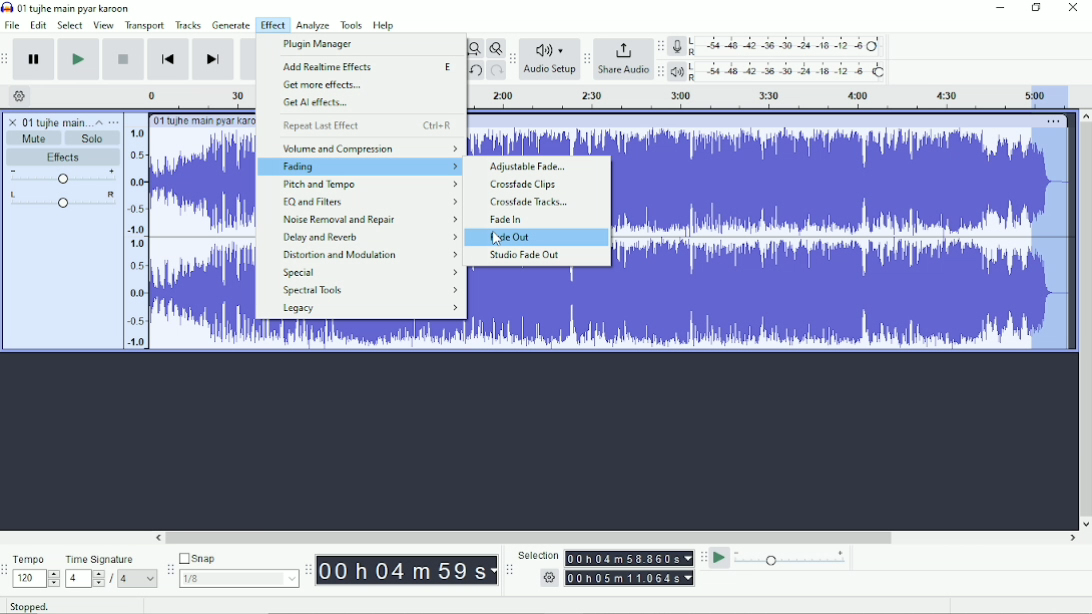  What do you see at coordinates (112, 579) in the screenshot?
I see `/` at bounding box center [112, 579].